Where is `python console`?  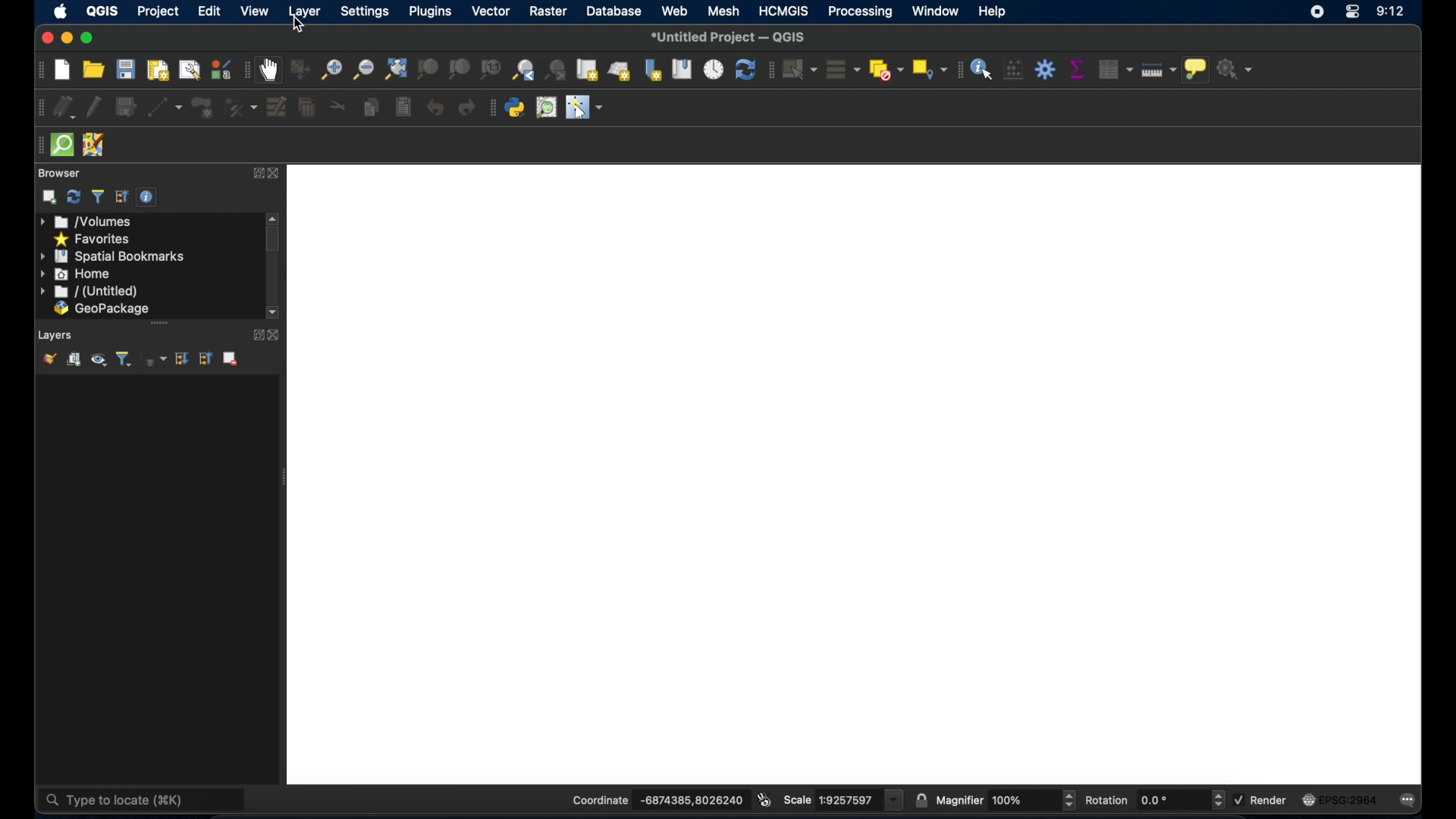 python console is located at coordinates (516, 108).